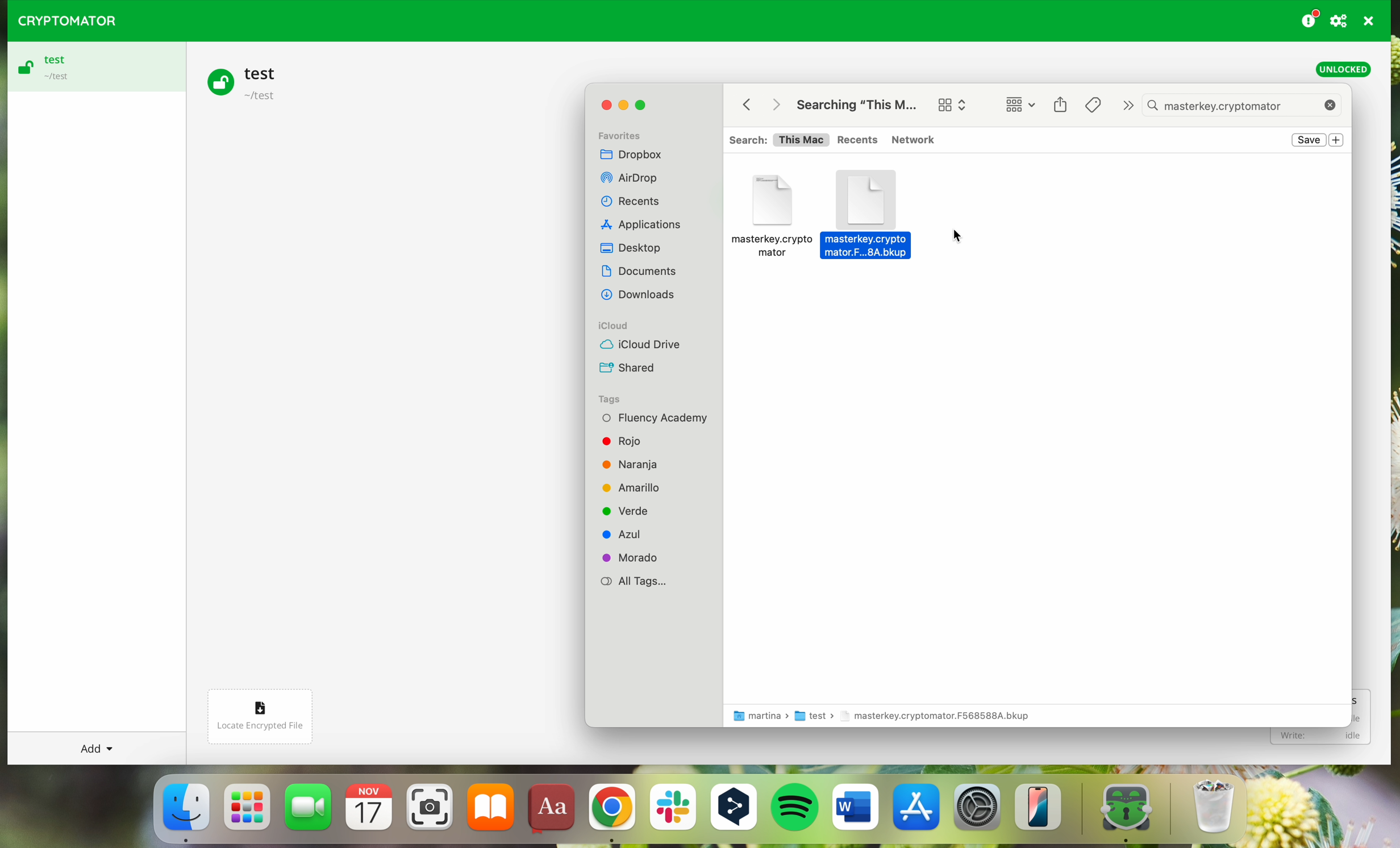 The image size is (1400, 848). I want to click on settings, so click(978, 812).